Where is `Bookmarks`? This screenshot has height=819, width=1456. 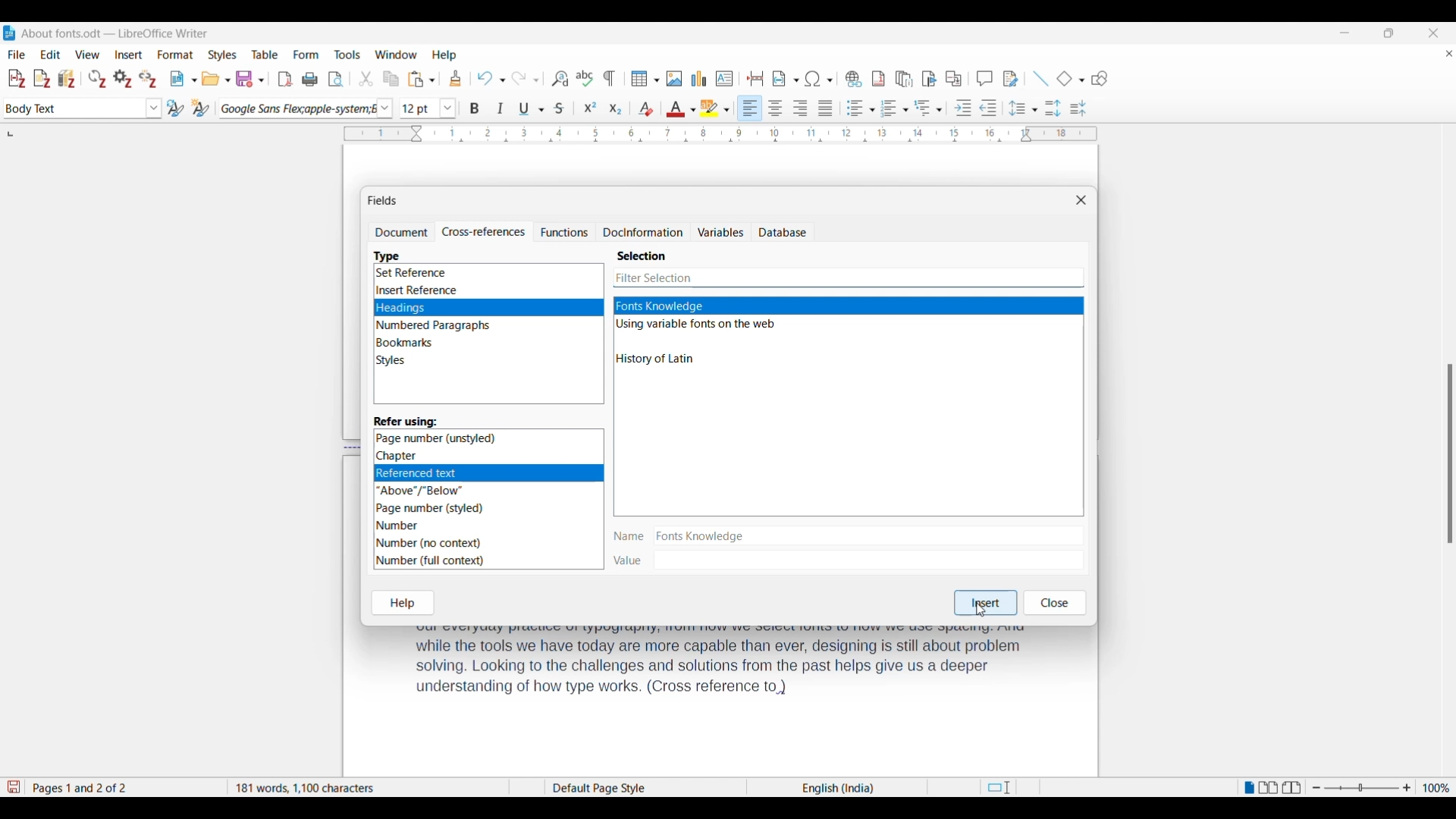
Bookmarks is located at coordinates (405, 343).